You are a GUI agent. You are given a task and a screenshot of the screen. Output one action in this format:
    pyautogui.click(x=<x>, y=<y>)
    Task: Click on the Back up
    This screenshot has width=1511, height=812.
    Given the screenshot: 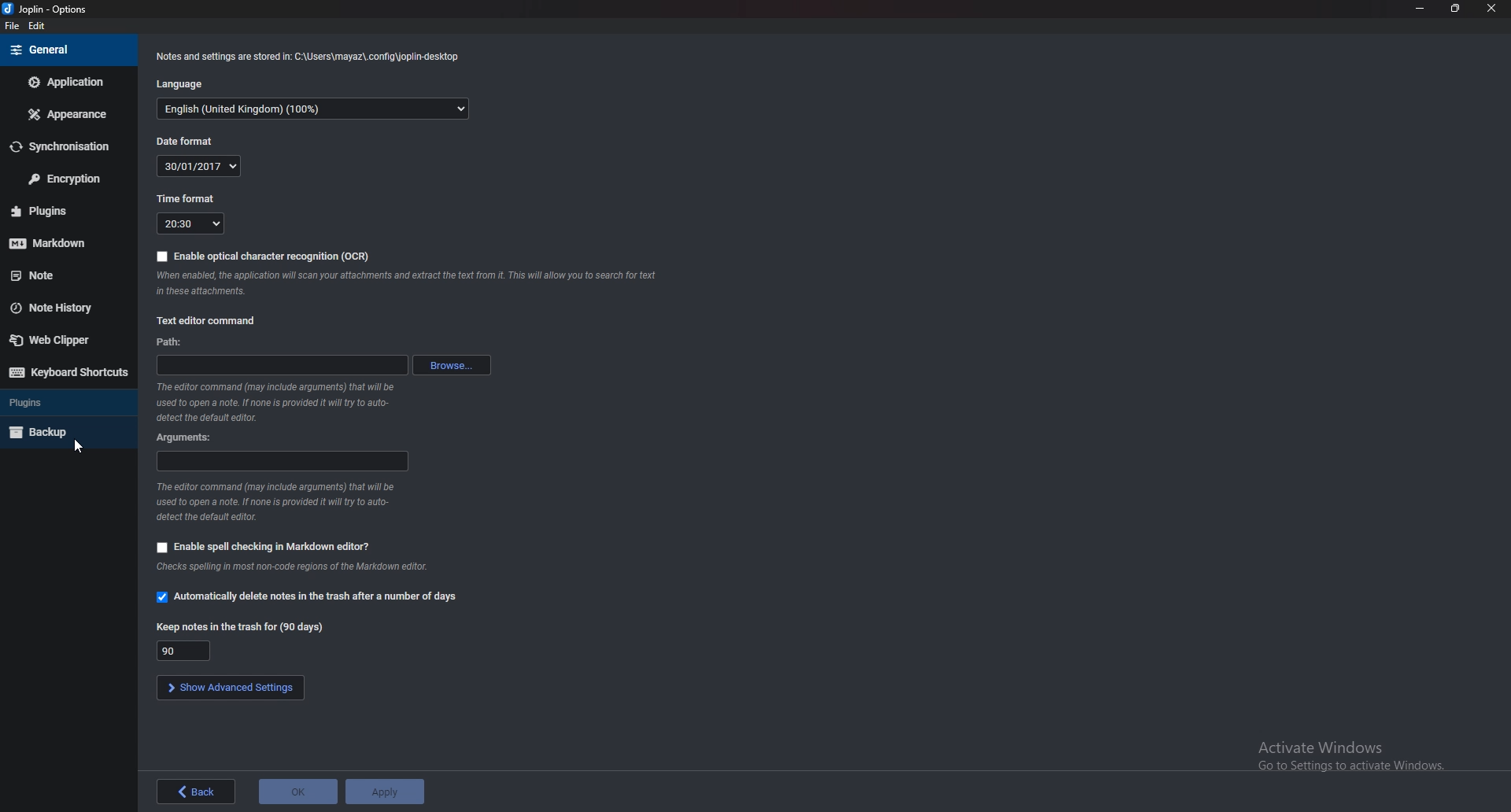 What is the action you would take?
    pyautogui.click(x=65, y=430)
    